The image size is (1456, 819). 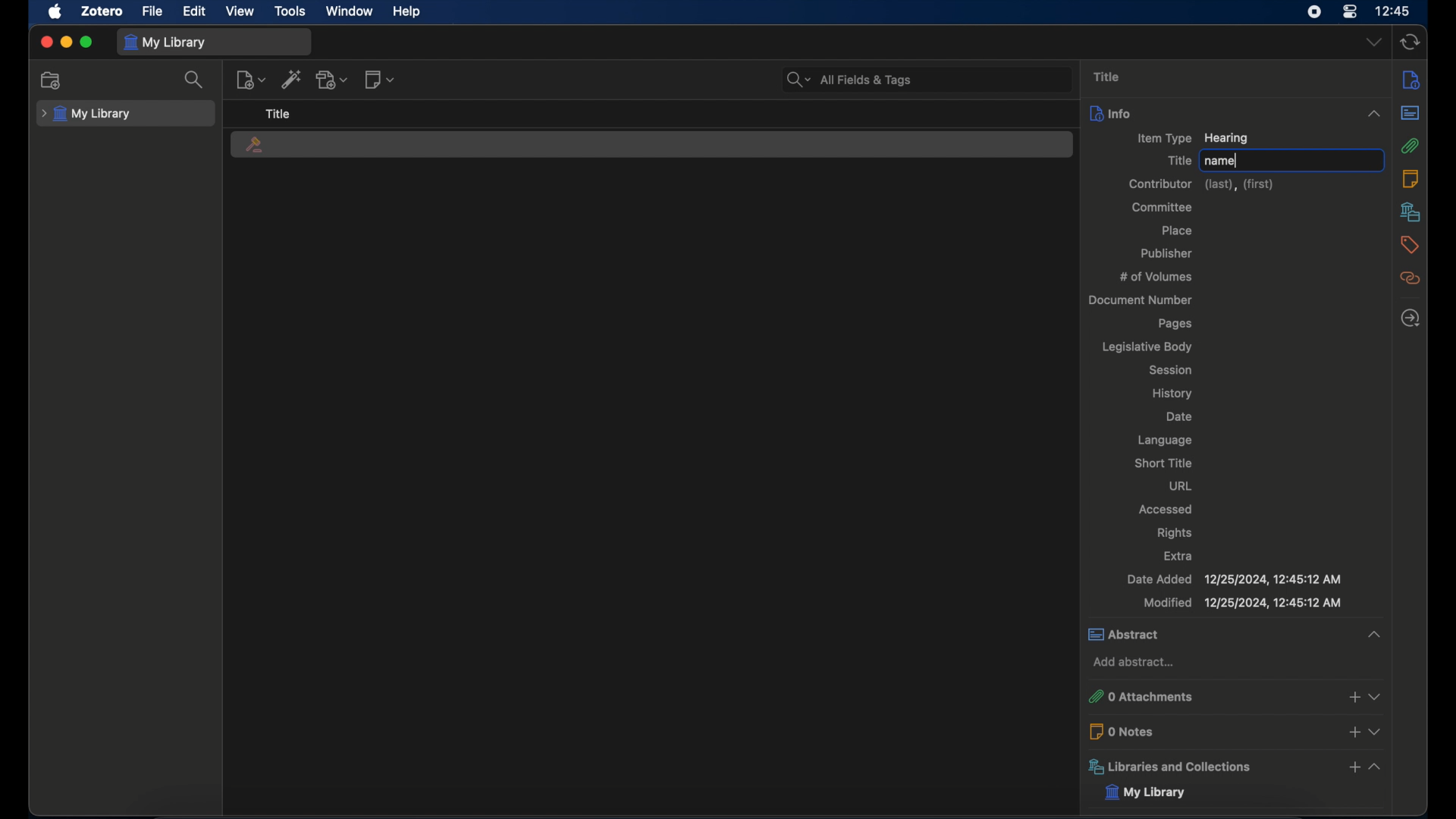 What do you see at coordinates (165, 43) in the screenshot?
I see `my library` at bounding box center [165, 43].